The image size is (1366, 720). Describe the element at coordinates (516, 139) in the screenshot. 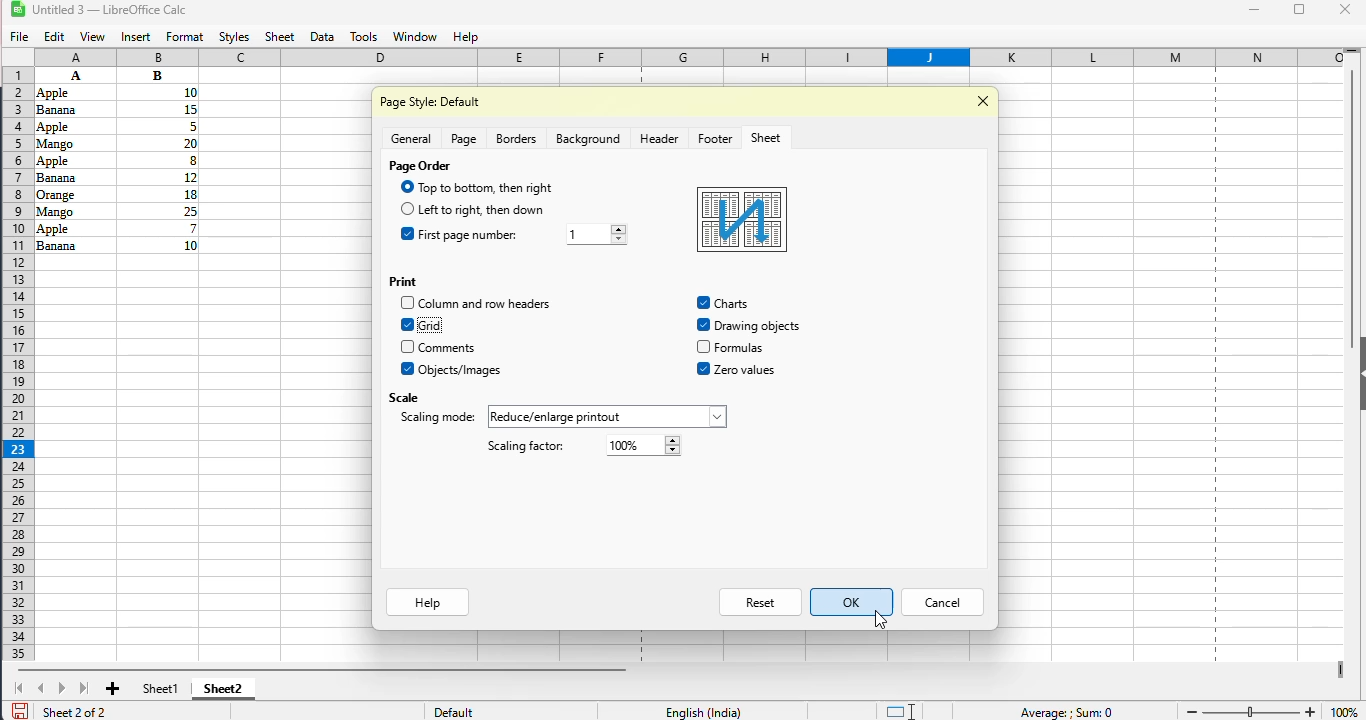

I see `borders` at that location.